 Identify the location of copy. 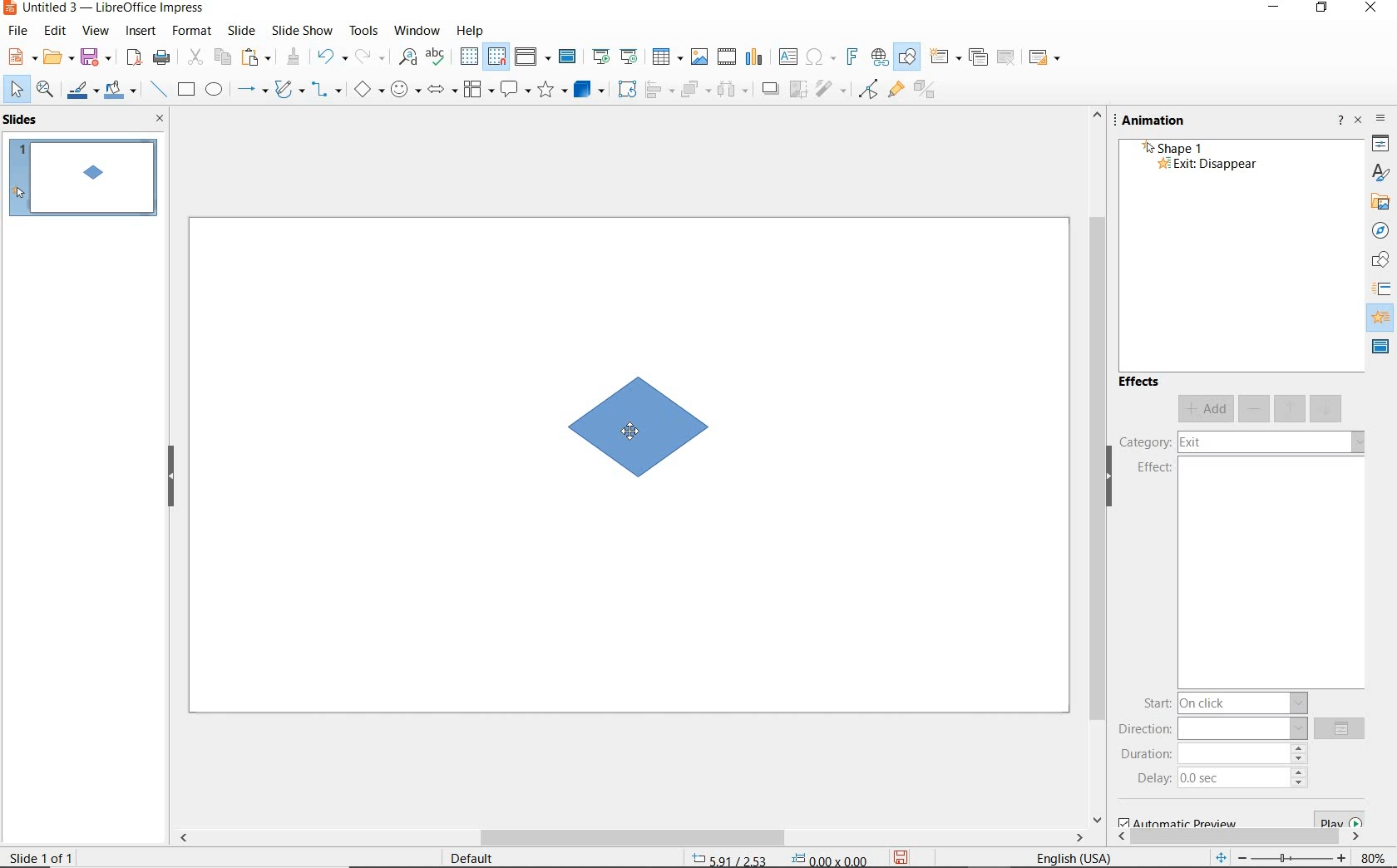
(222, 58).